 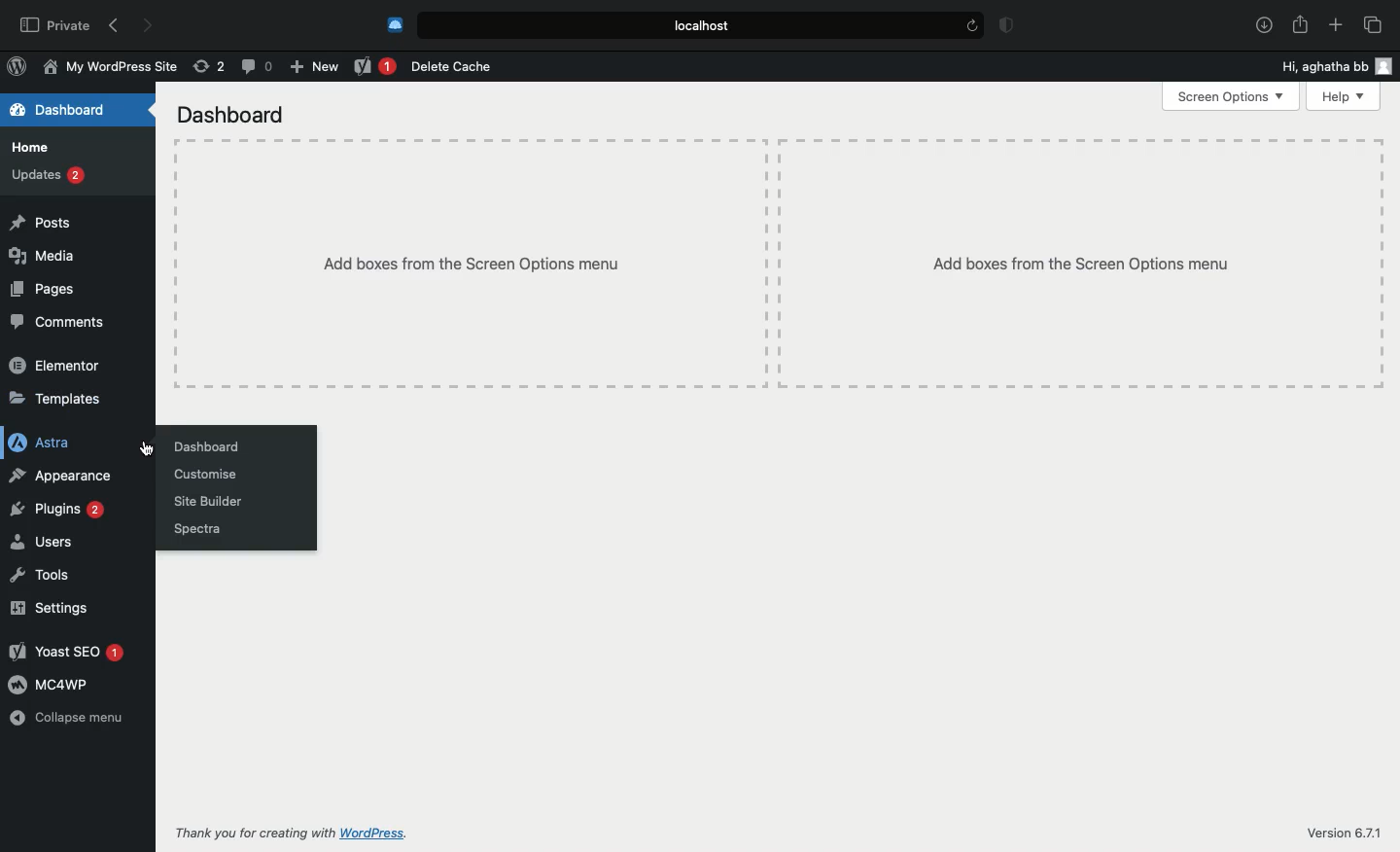 What do you see at coordinates (43, 444) in the screenshot?
I see `Astra` at bounding box center [43, 444].